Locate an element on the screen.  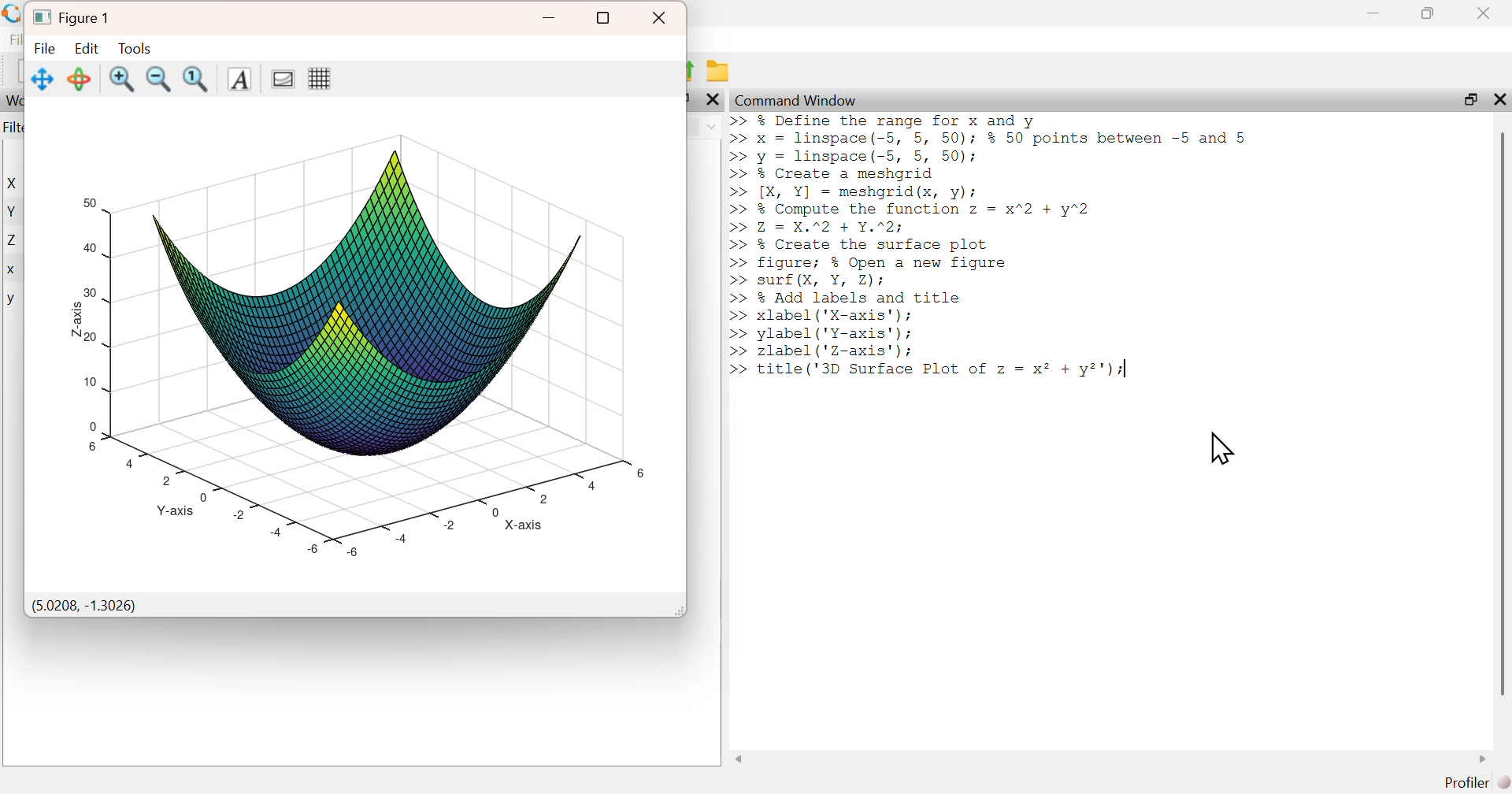
Grid is located at coordinates (319, 78).